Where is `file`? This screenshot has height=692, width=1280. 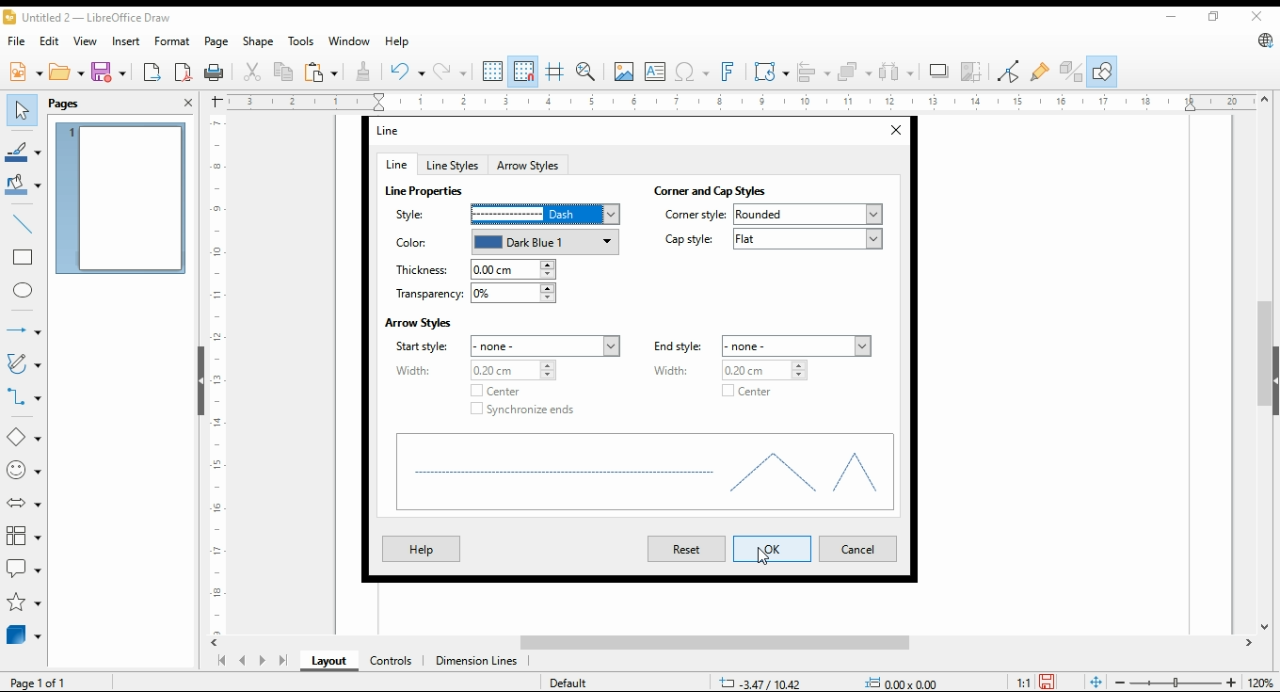
file is located at coordinates (18, 40).